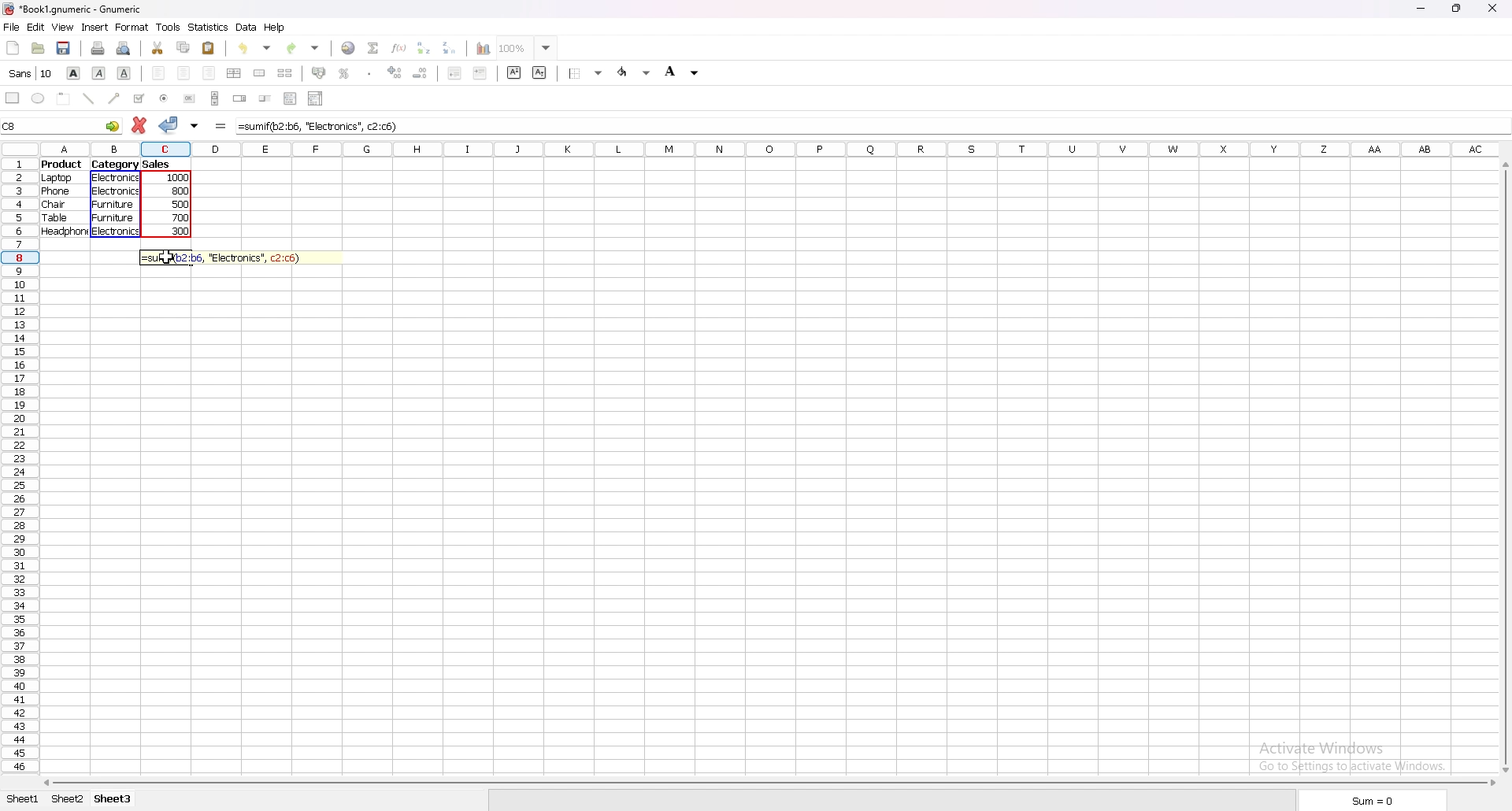 The width and height of the screenshot is (1512, 811). What do you see at coordinates (17, 464) in the screenshot?
I see `rows` at bounding box center [17, 464].